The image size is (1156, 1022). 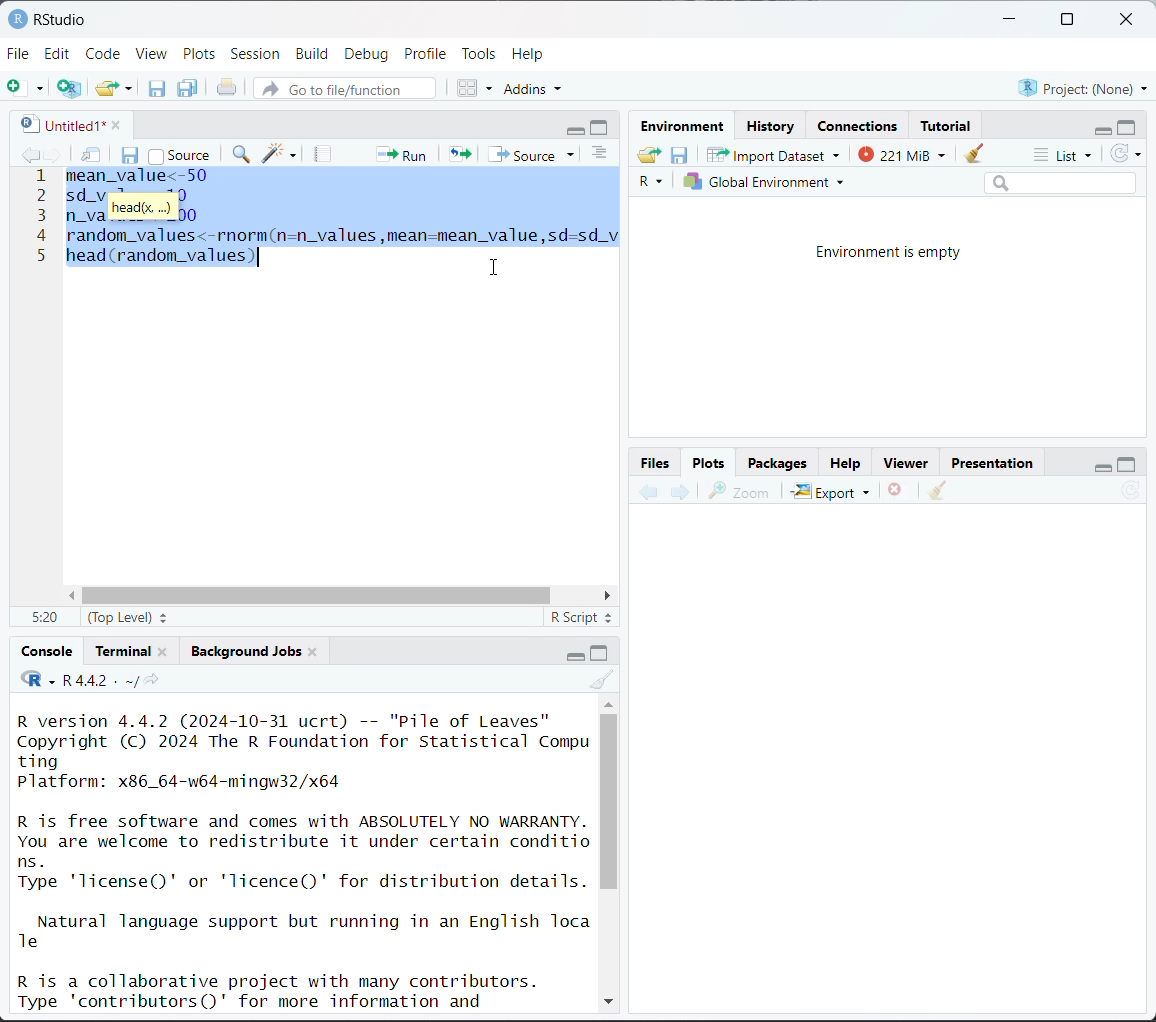 I want to click on go forward to next source location, so click(x=54, y=156).